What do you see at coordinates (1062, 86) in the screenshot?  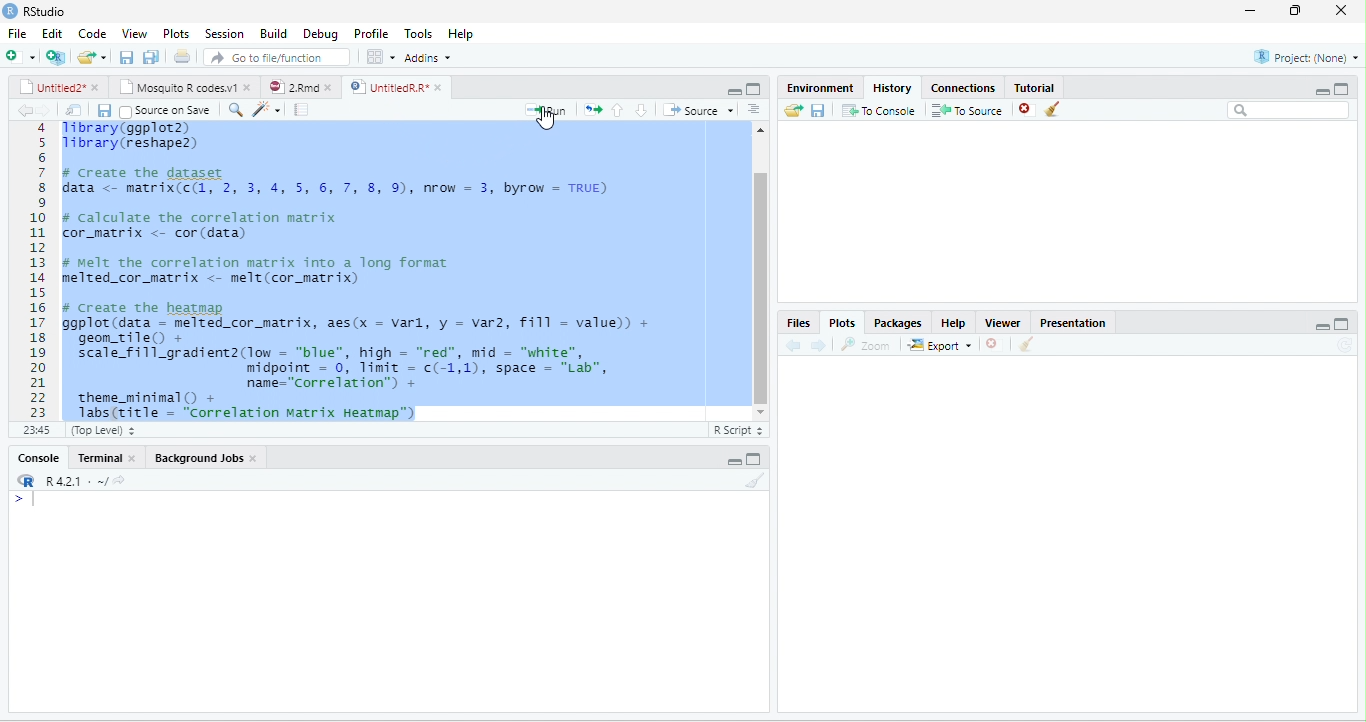 I see `tutorial` at bounding box center [1062, 86].